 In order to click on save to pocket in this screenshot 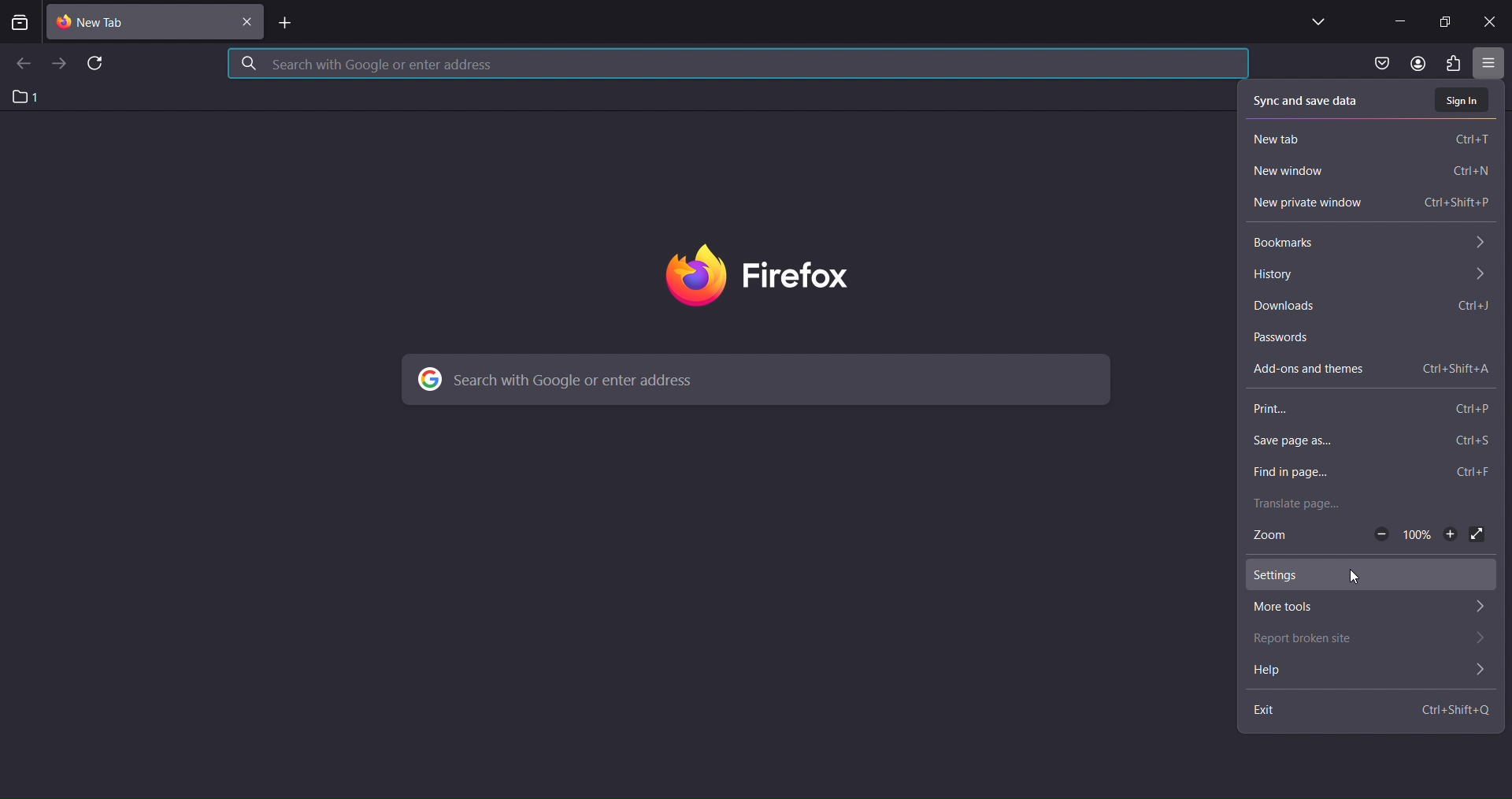, I will do `click(1378, 64)`.